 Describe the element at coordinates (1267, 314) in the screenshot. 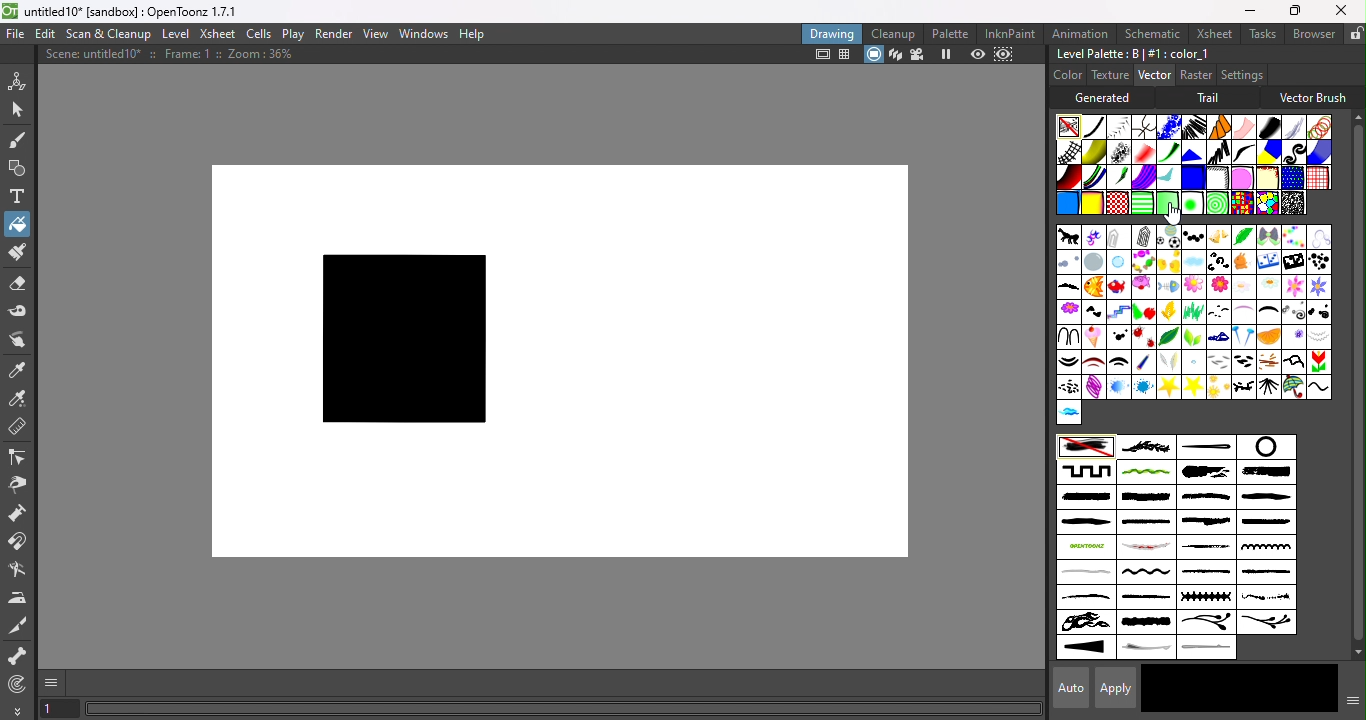

I see `hedge` at that location.